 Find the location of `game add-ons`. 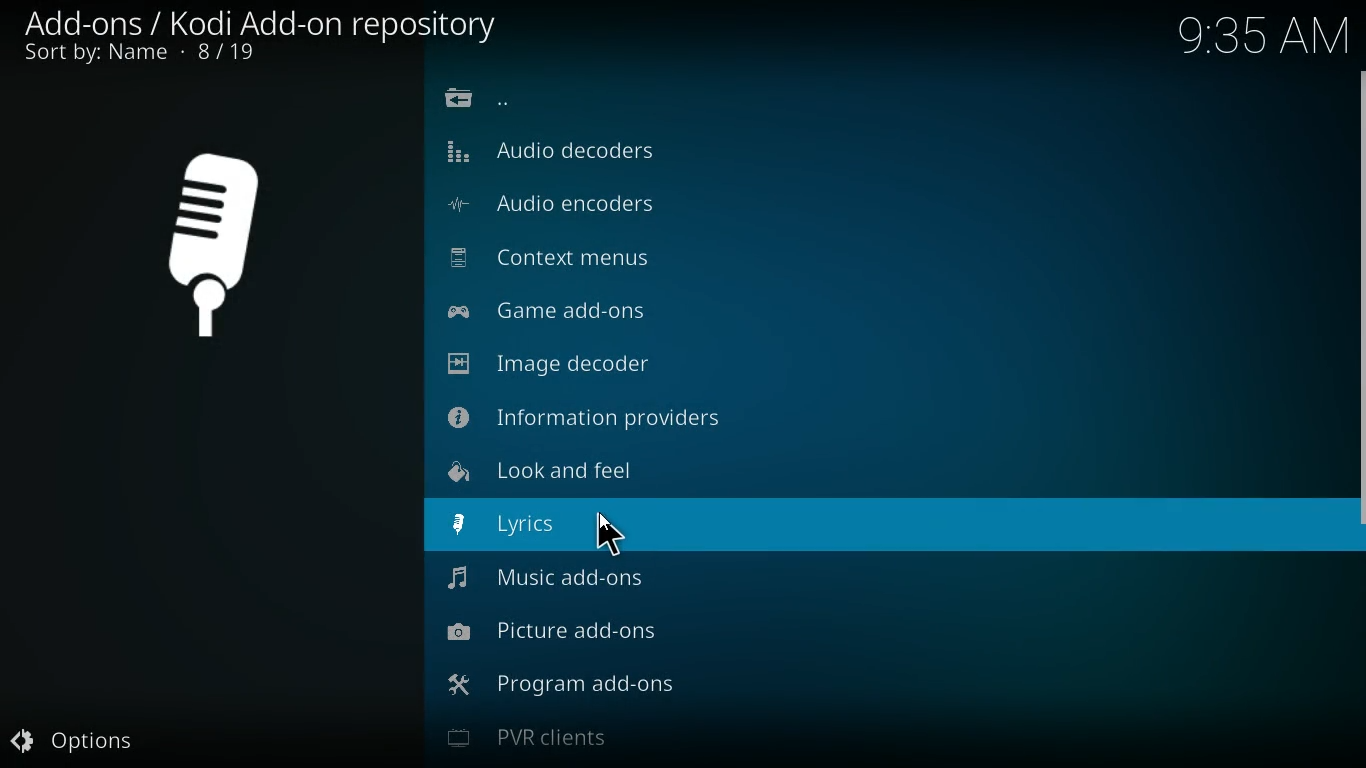

game add-ons is located at coordinates (578, 315).